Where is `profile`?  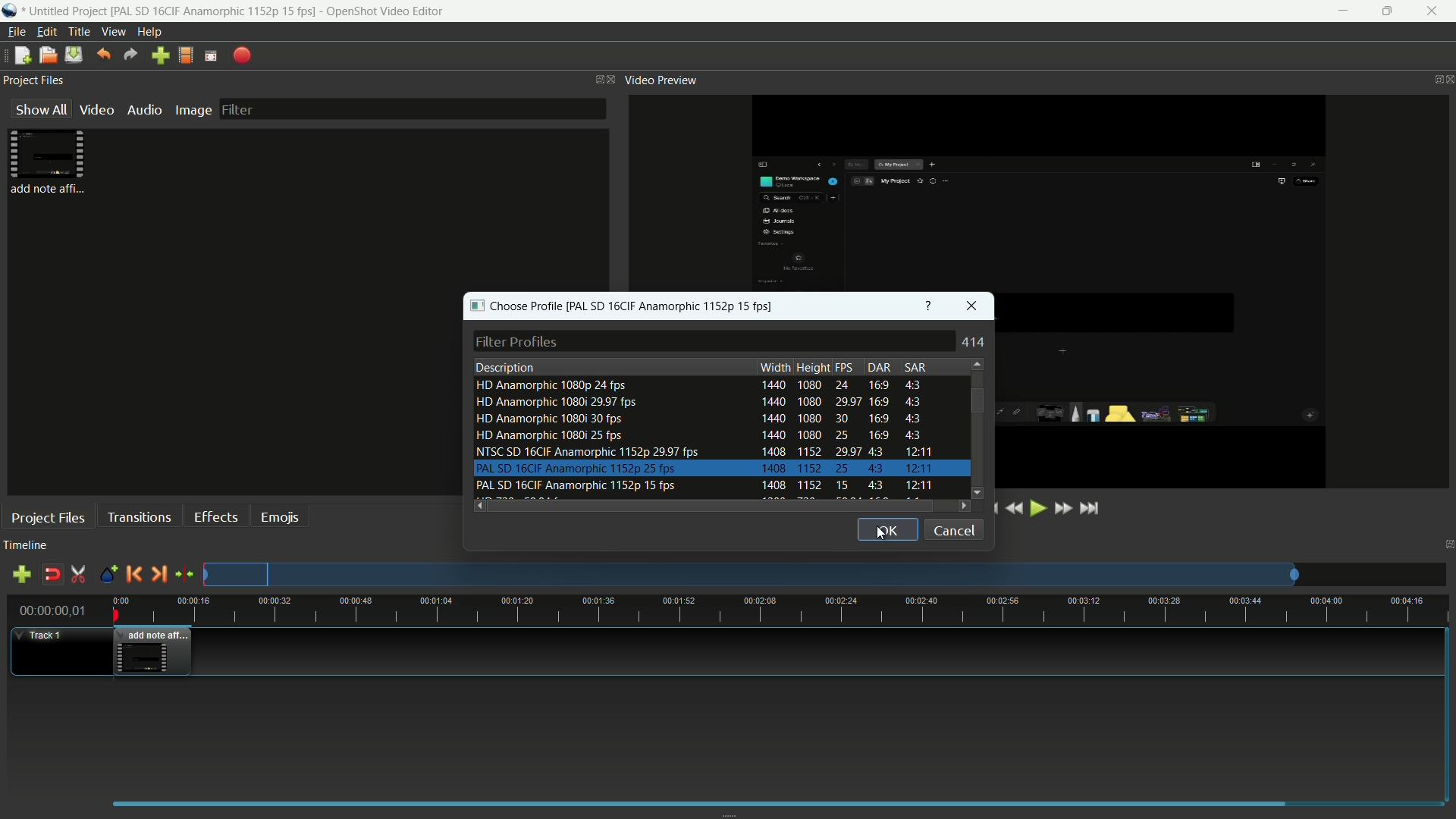
profile is located at coordinates (215, 11).